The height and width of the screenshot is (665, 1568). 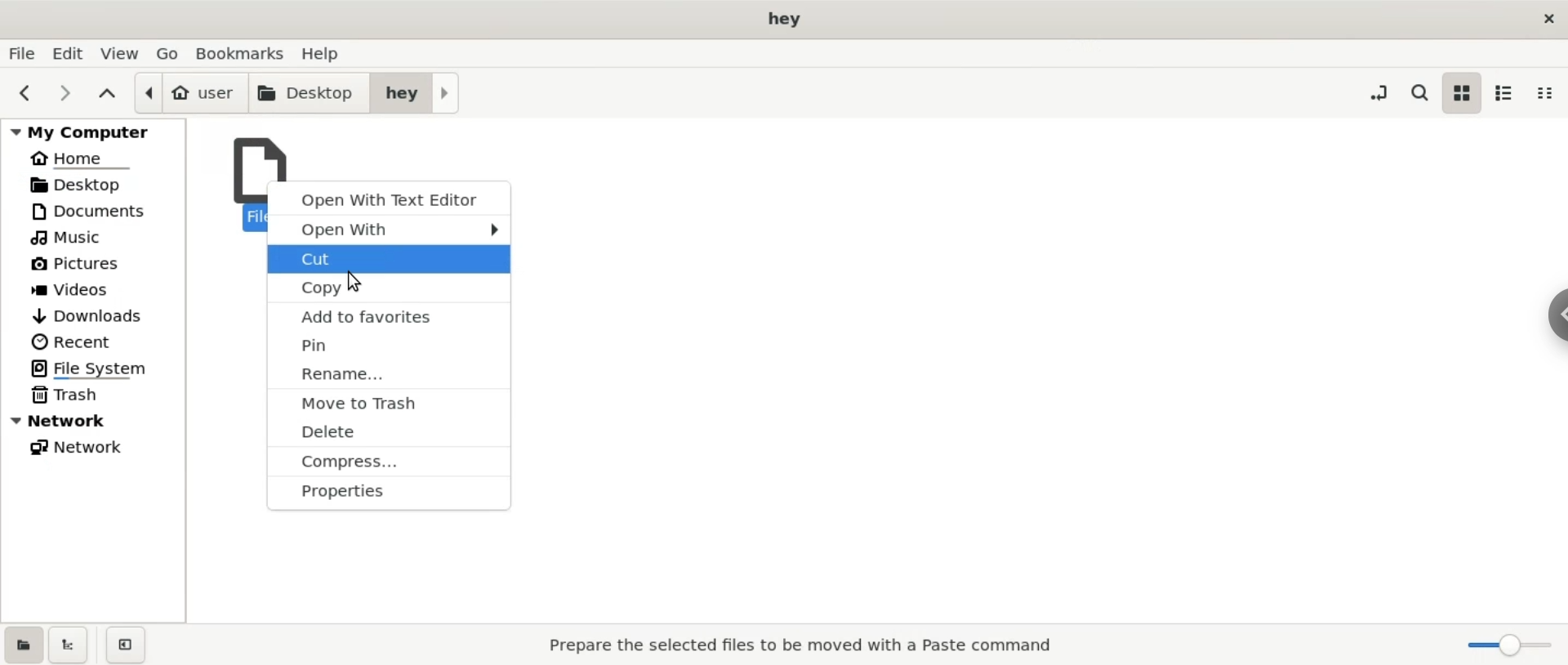 What do you see at coordinates (416, 92) in the screenshot?
I see `hey` at bounding box center [416, 92].